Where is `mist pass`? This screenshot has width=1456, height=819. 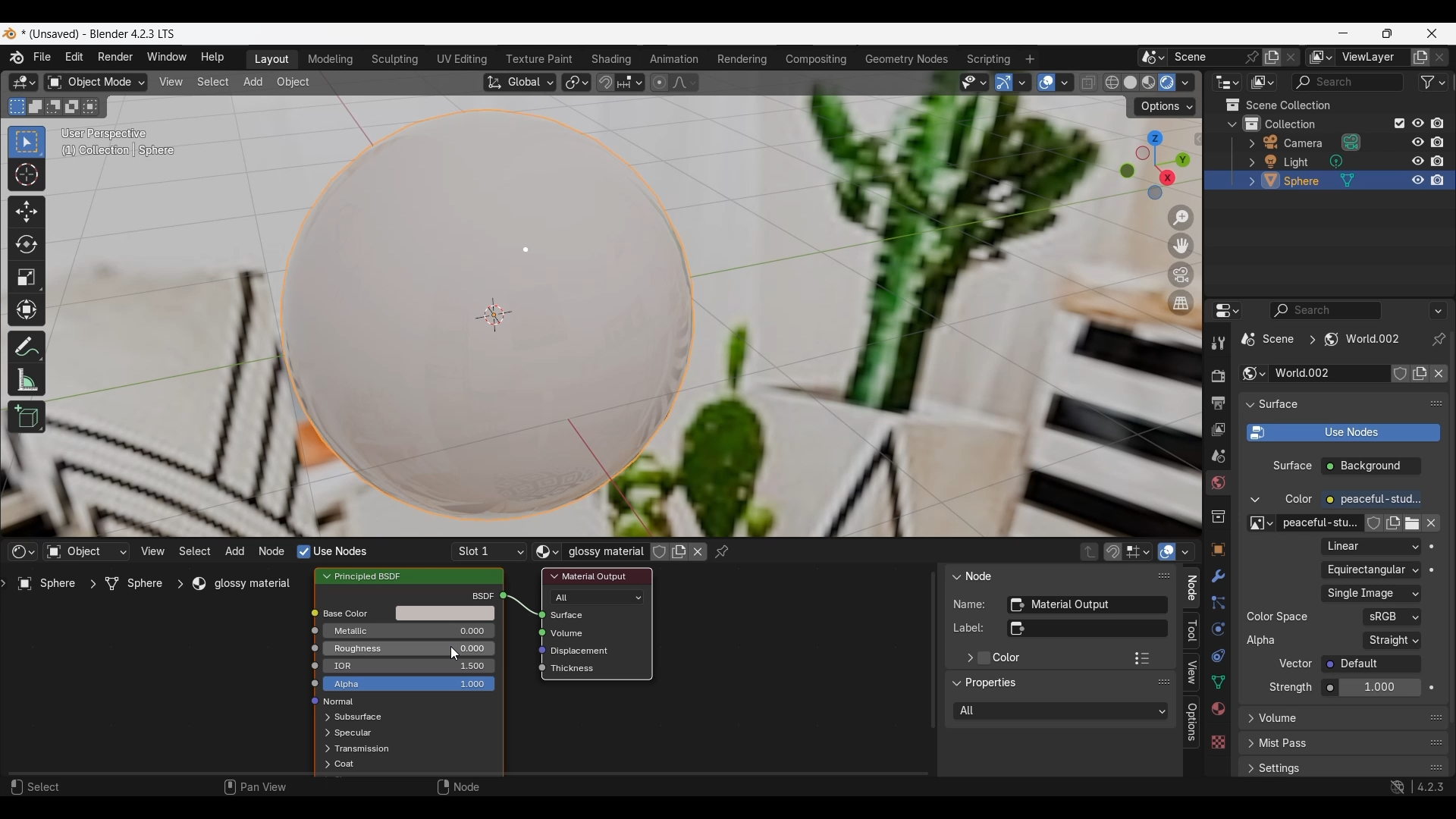
mist pass is located at coordinates (1285, 744).